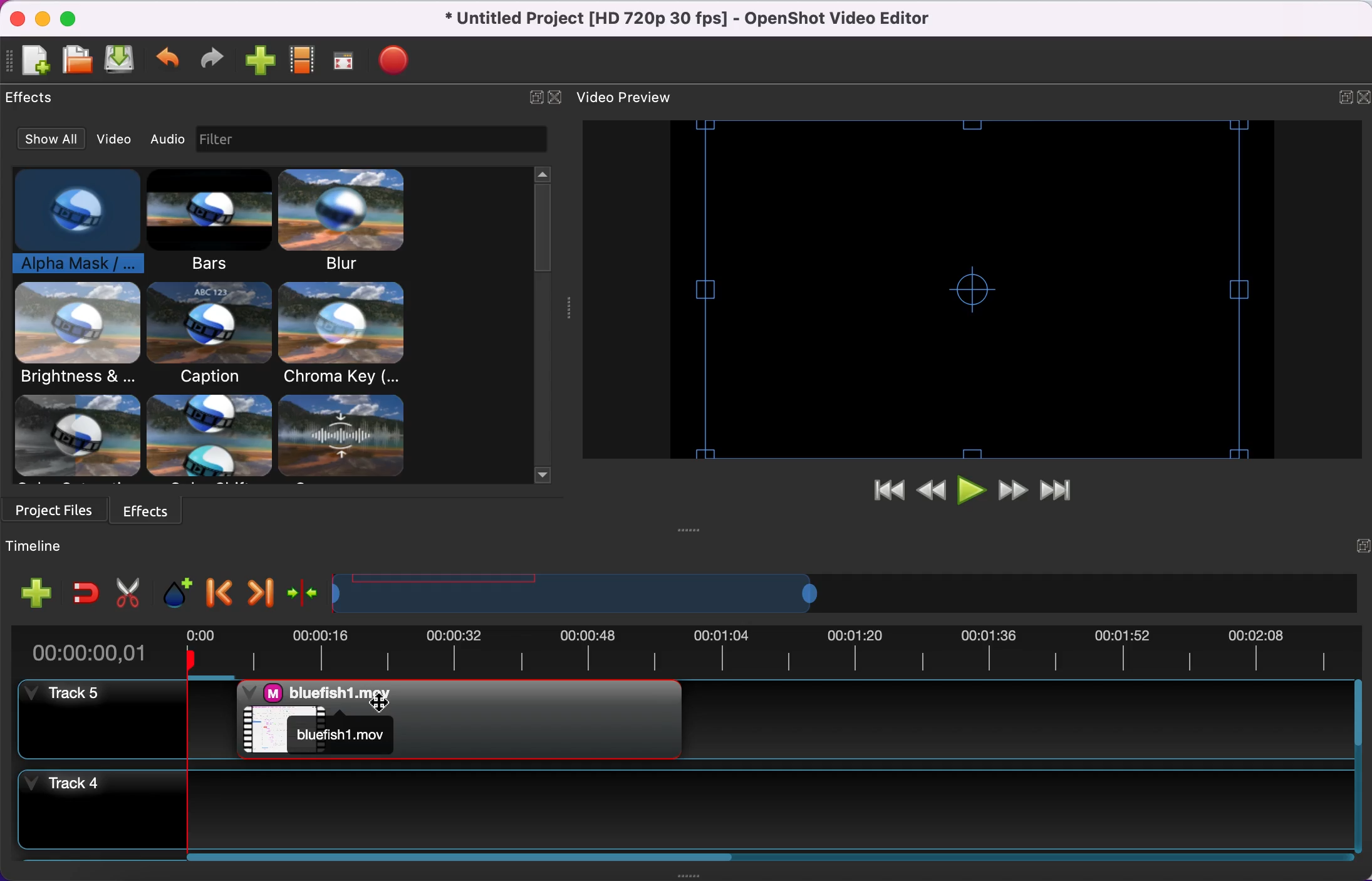 The width and height of the screenshot is (1372, 881). I want to click on alpha mask, so click(67, 223).